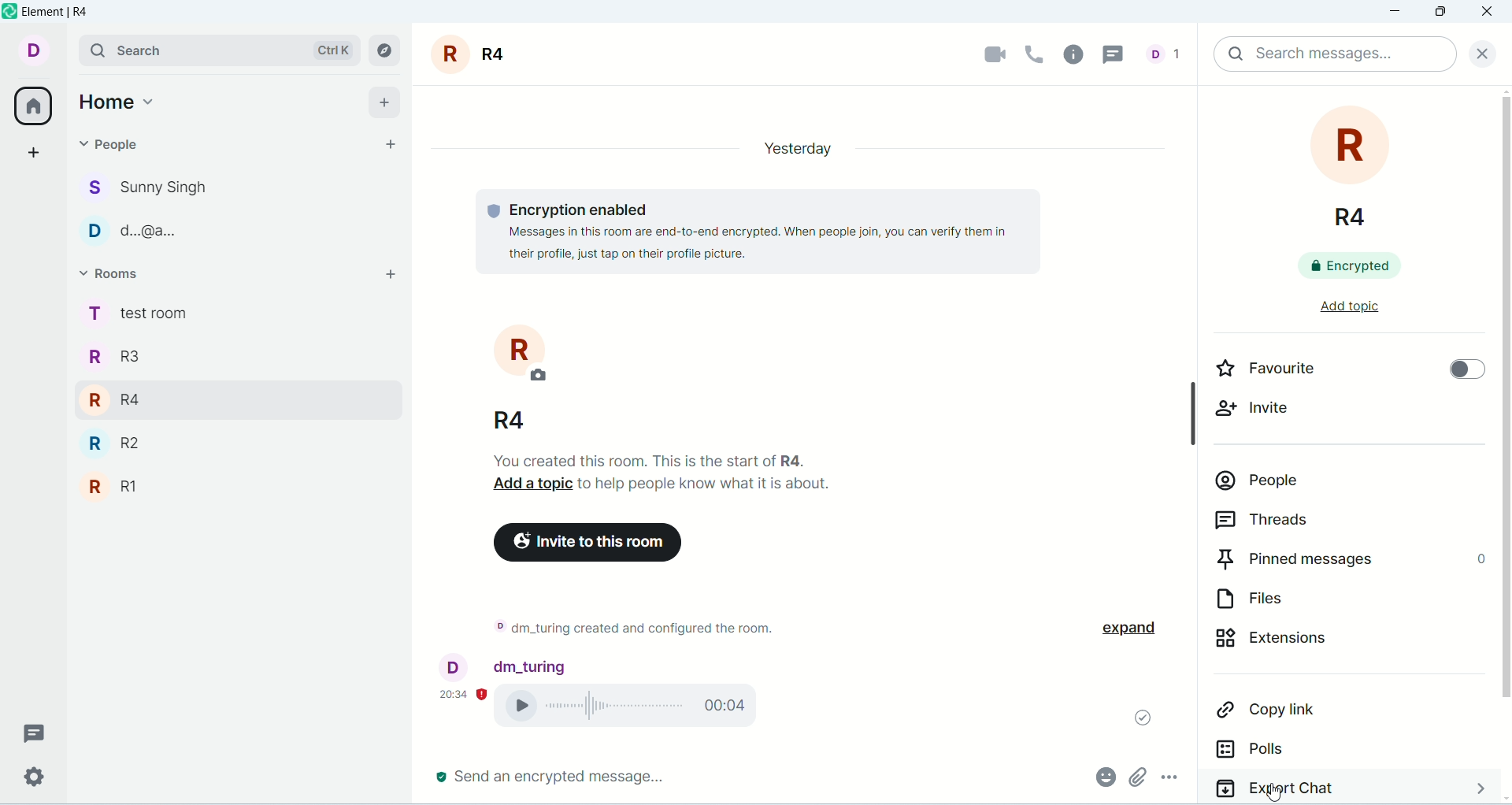 The width and height of the screenshot is (1512, 805). I want to click on start chat, so click(386, 145).